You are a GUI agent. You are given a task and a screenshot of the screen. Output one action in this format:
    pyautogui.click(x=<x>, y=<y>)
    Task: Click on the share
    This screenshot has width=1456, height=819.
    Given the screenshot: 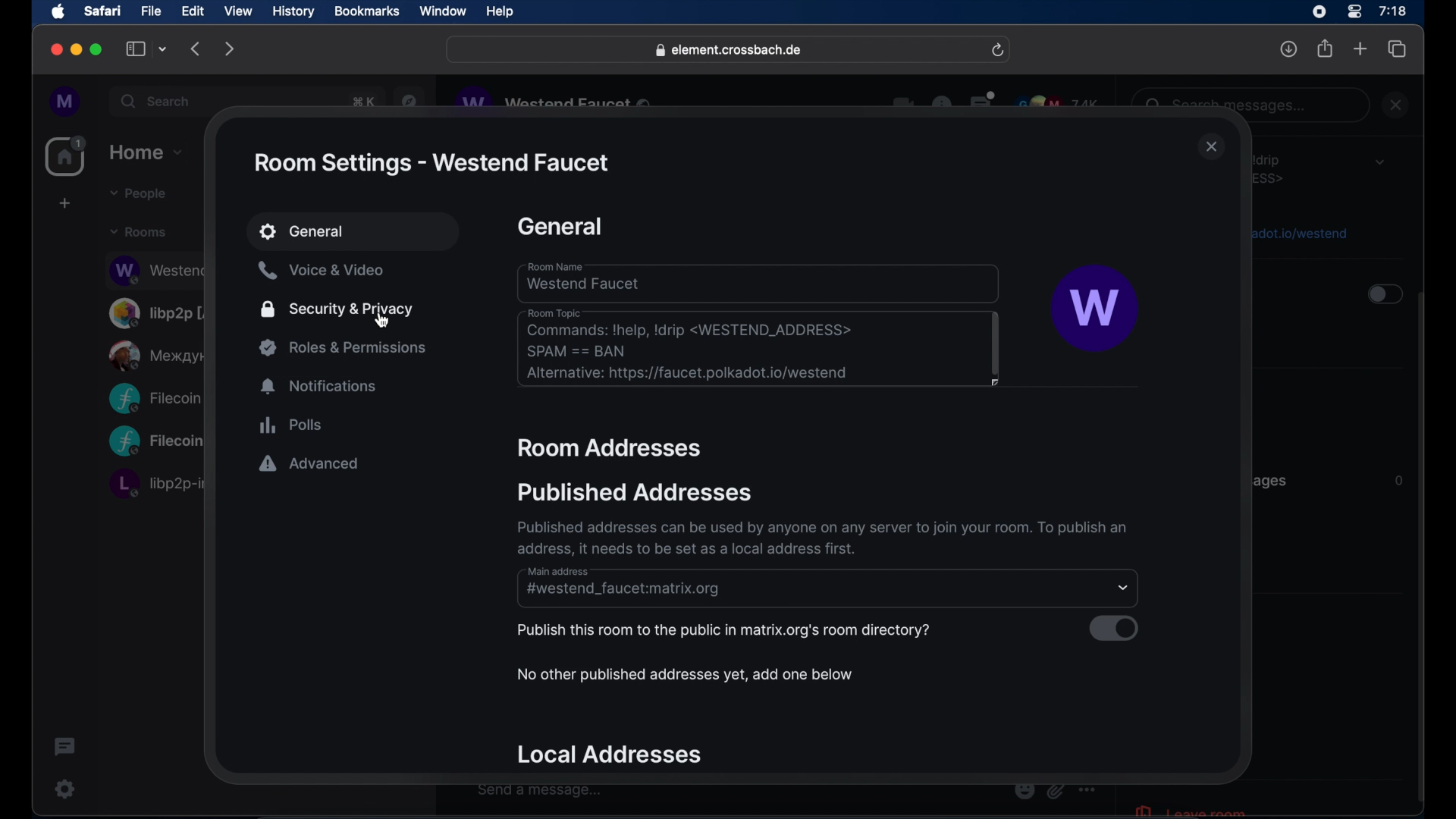 What is the action you would take?
    pyautogui.click(x=1326, y=49)
    